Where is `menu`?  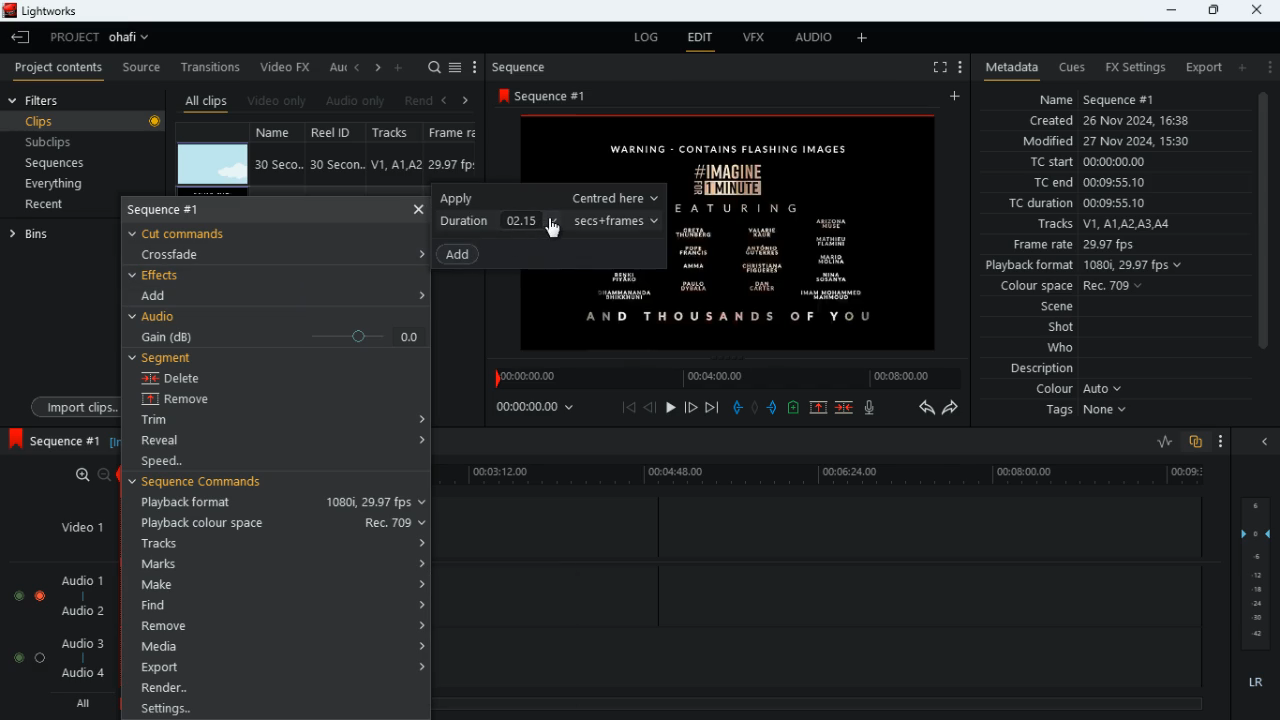
menu is located at coordinates (475, 68).